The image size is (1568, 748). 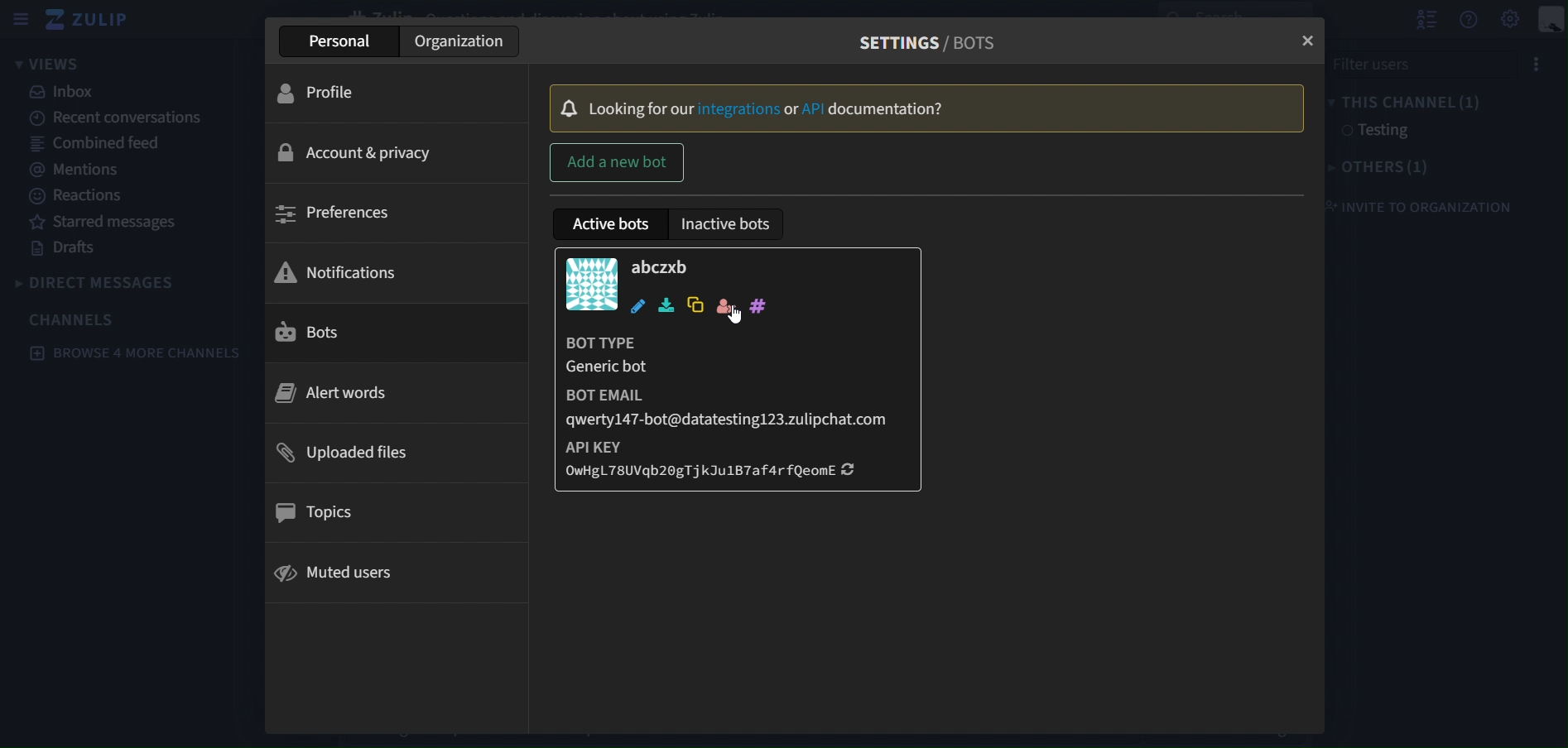 What do you see at coordinates (68, 251) in the screenshot?
I see `drafts` at bounding box center [68, 251].